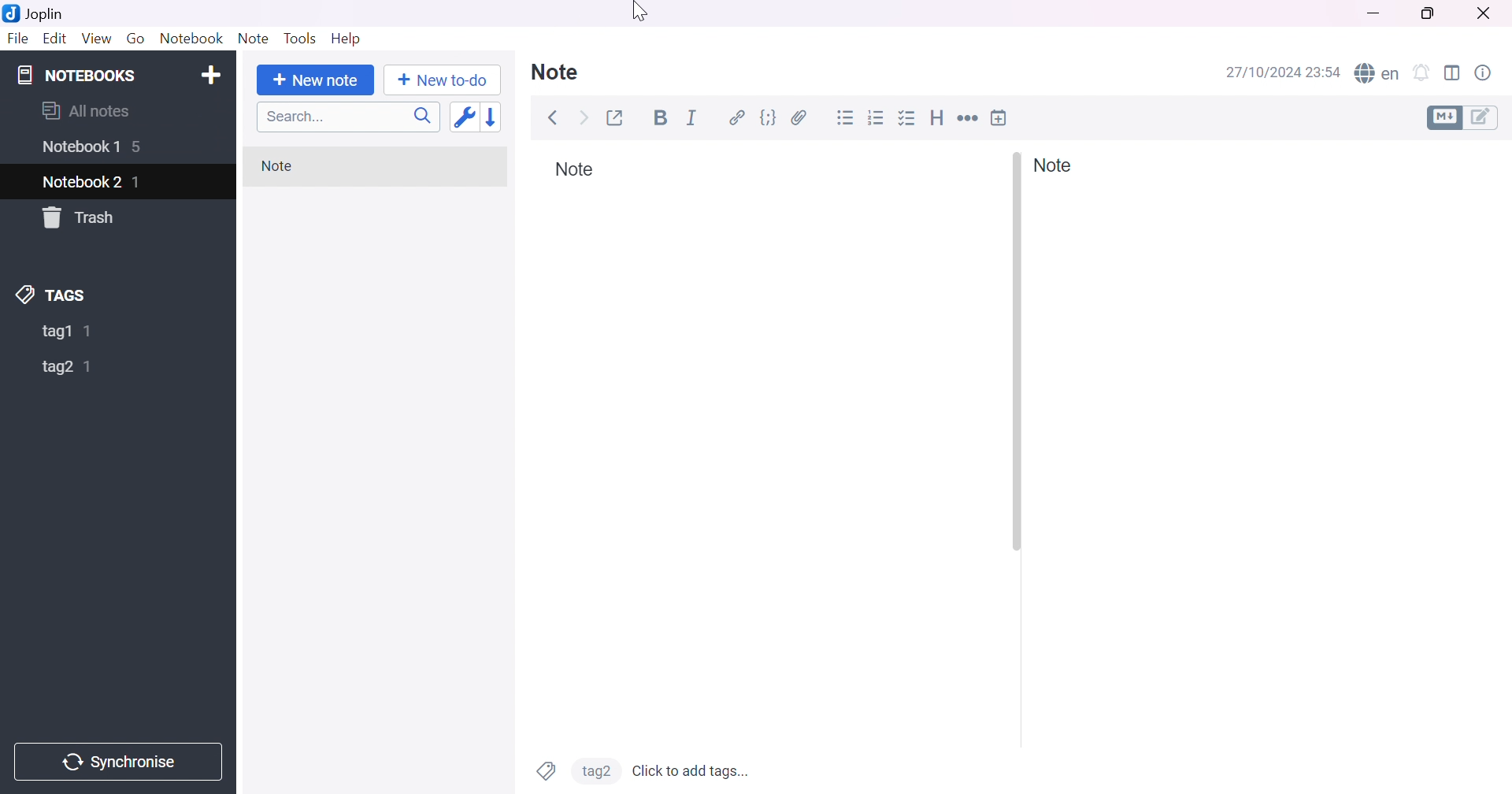 This screenshot has width=1512, height=794. I want to click on 1, so click(88, 367).